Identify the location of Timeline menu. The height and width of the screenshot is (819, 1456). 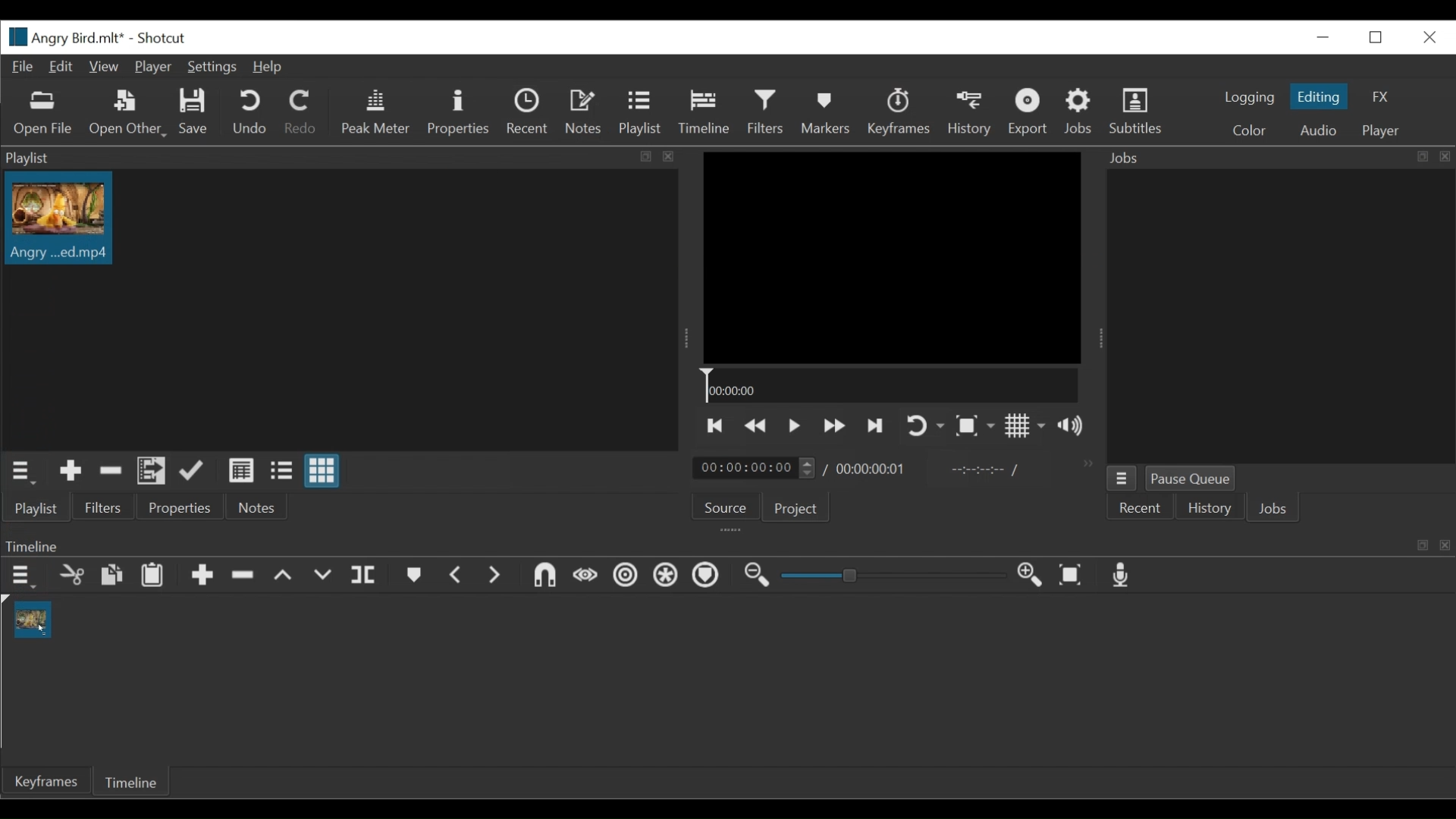
(20, 575).